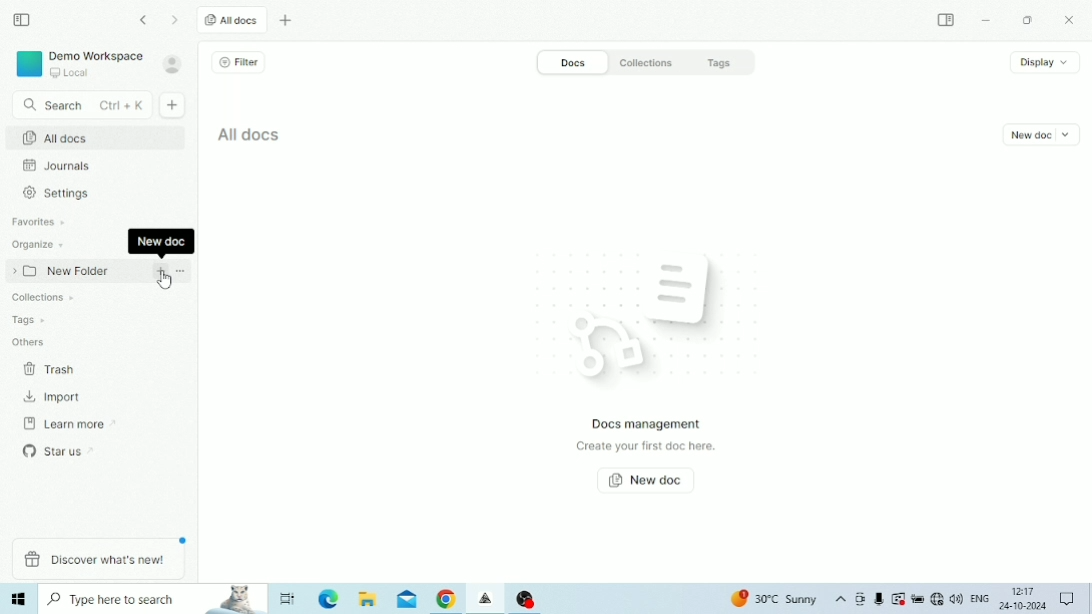  I want to click on Account, so click(173, 64).